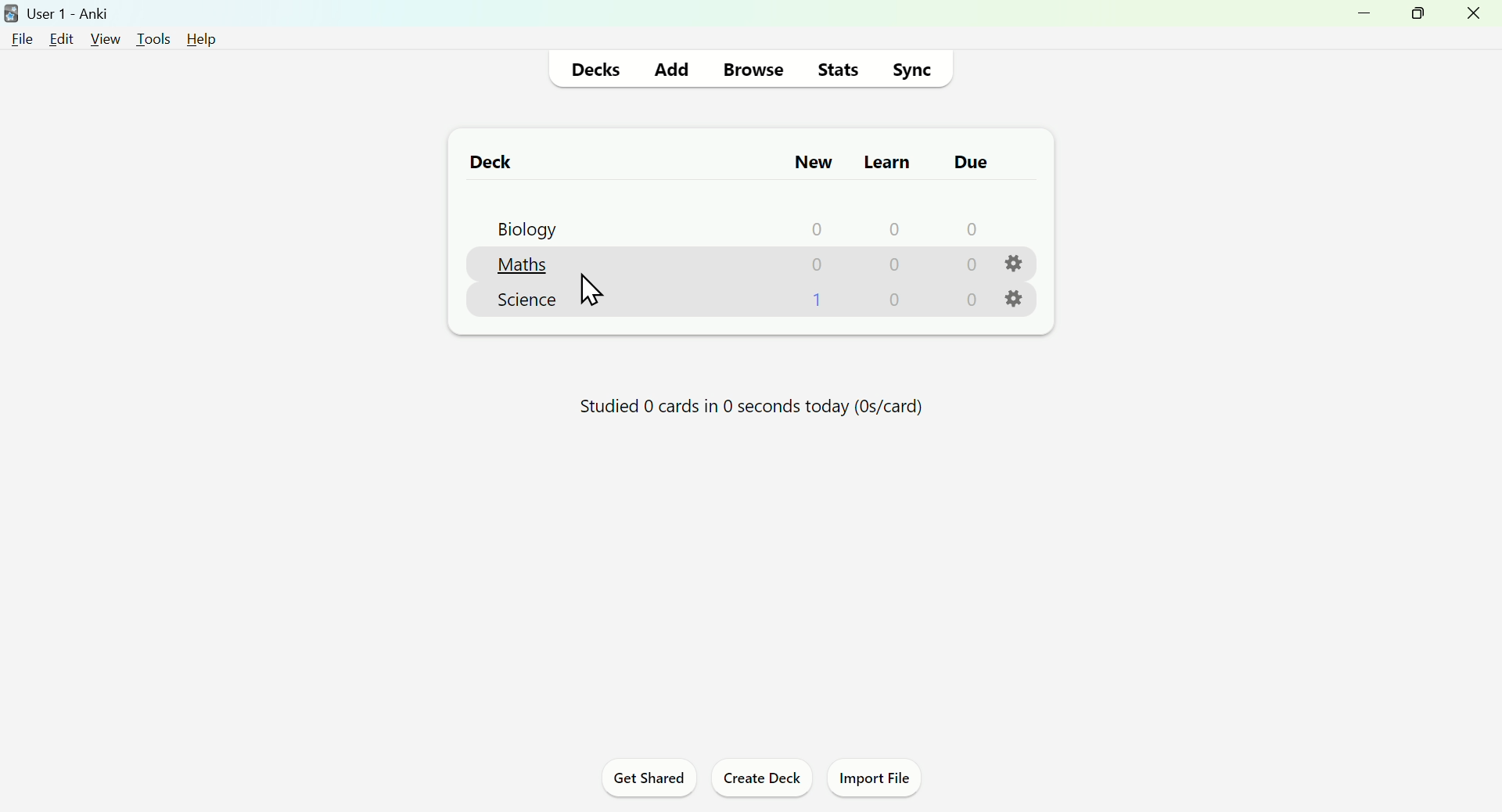  What do you see at coordinates (916, 67) in the screenshot?
I see `Sync` at bounding box center [916, 67].